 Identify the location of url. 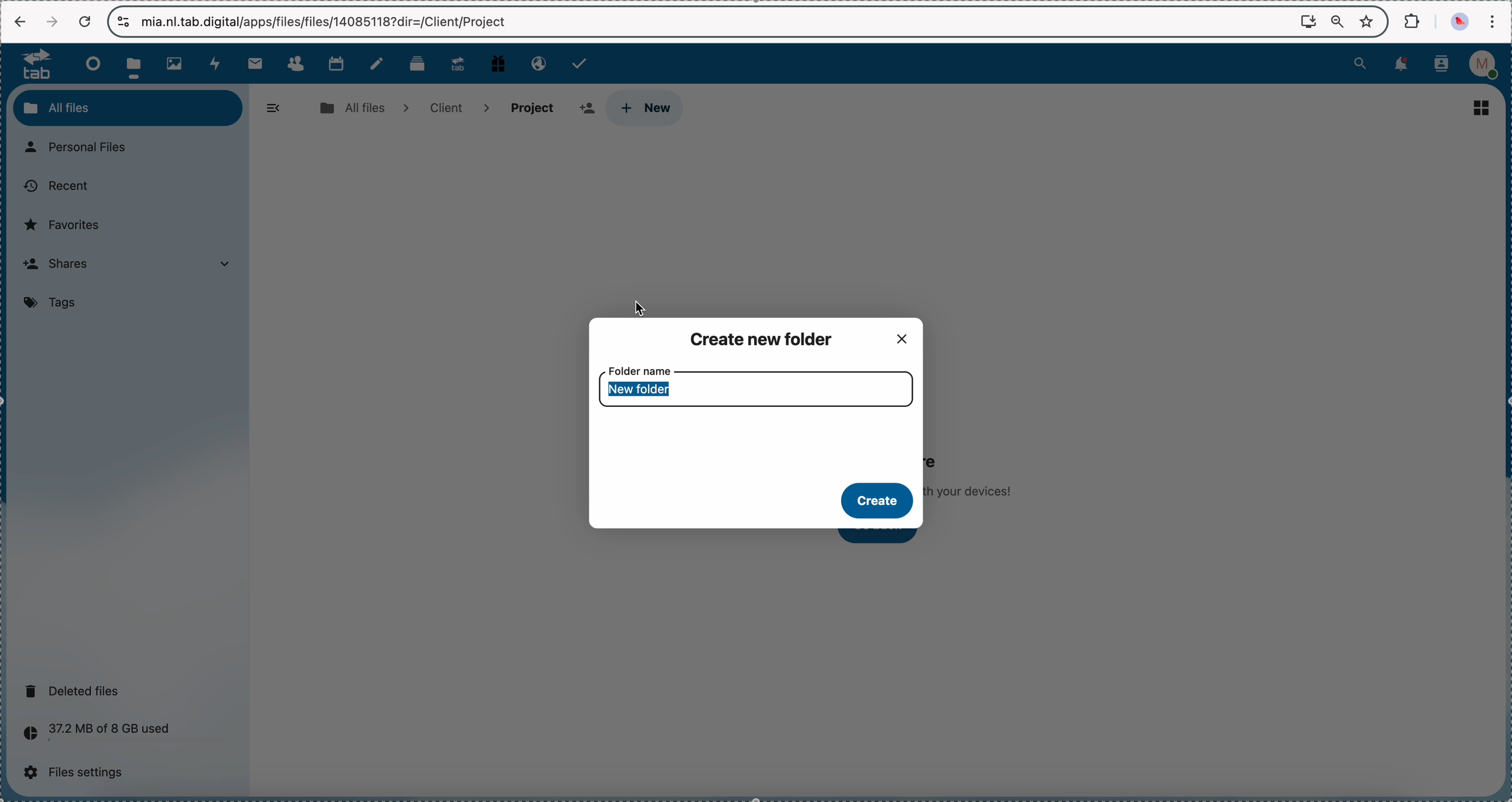
(326, 22).